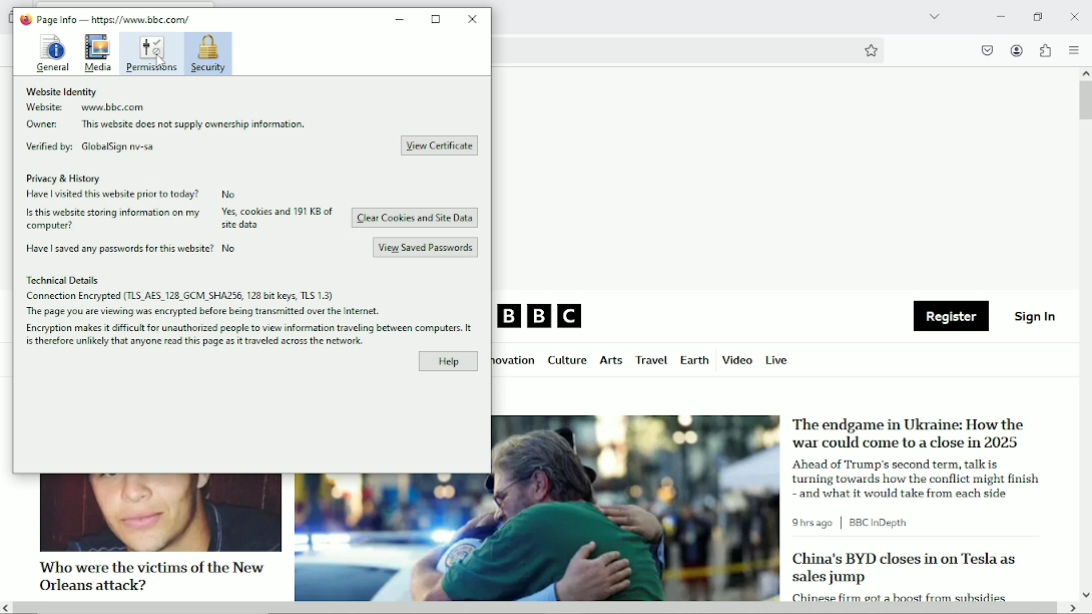 The width and height of the screenshot is (1092, 614). What do you see at coordinates (114, 219) in the screenshot?
I see `Is this website storing information on my computer?` at bounding box center [114, 219].